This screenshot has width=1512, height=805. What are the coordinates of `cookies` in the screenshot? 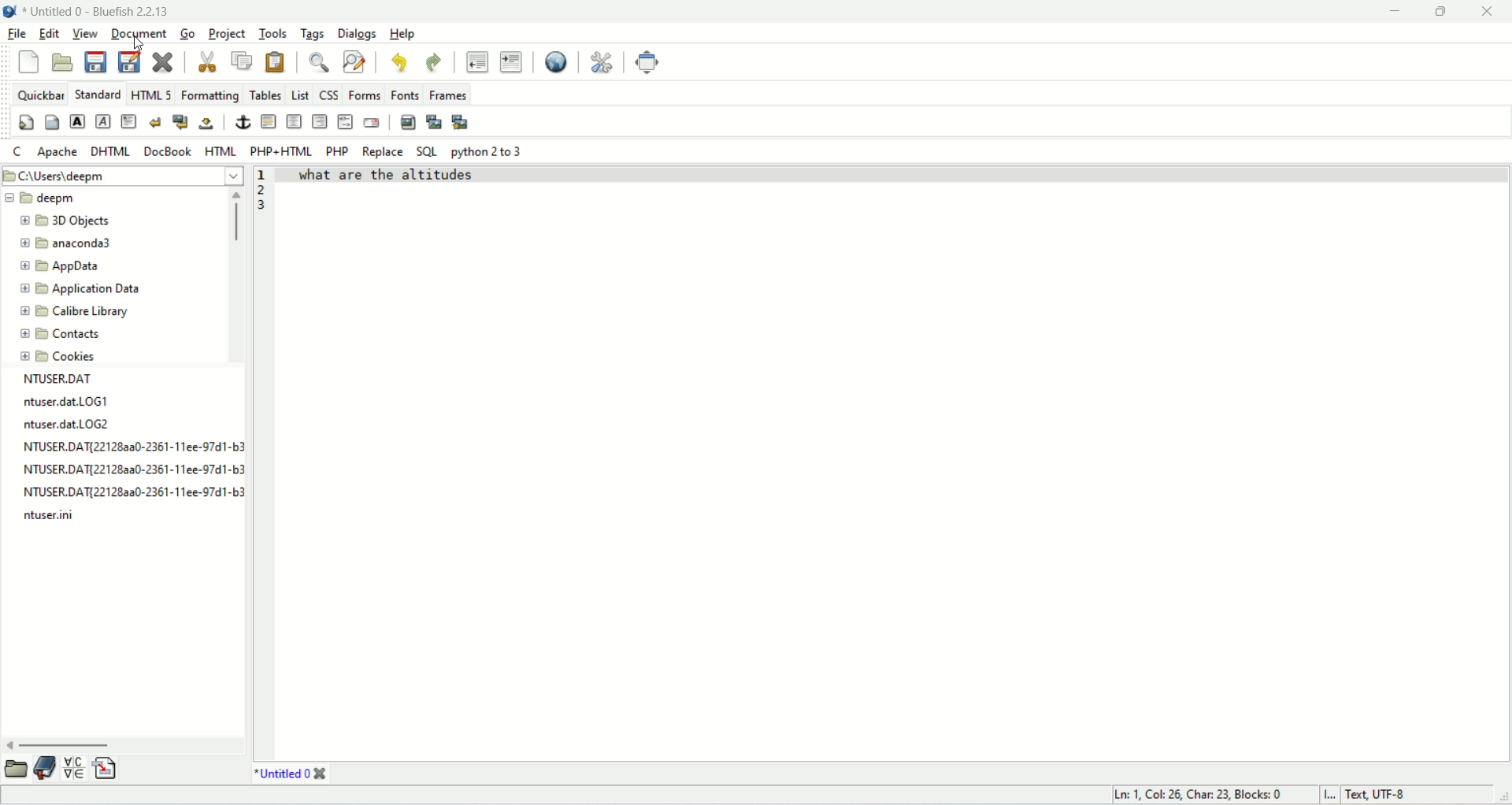 It's located at (60, 358).